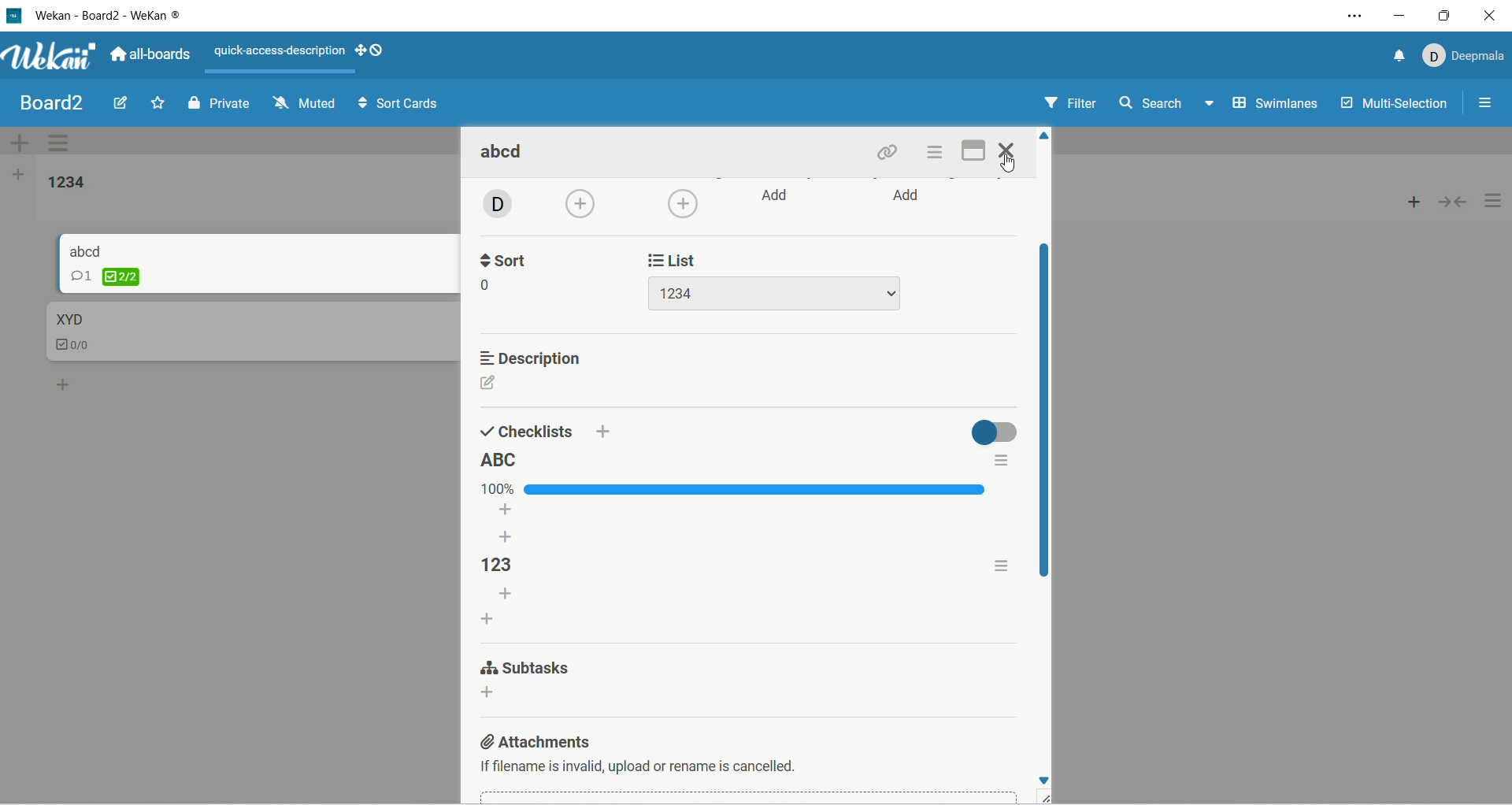  I want to click on add list, so click(20, 175).